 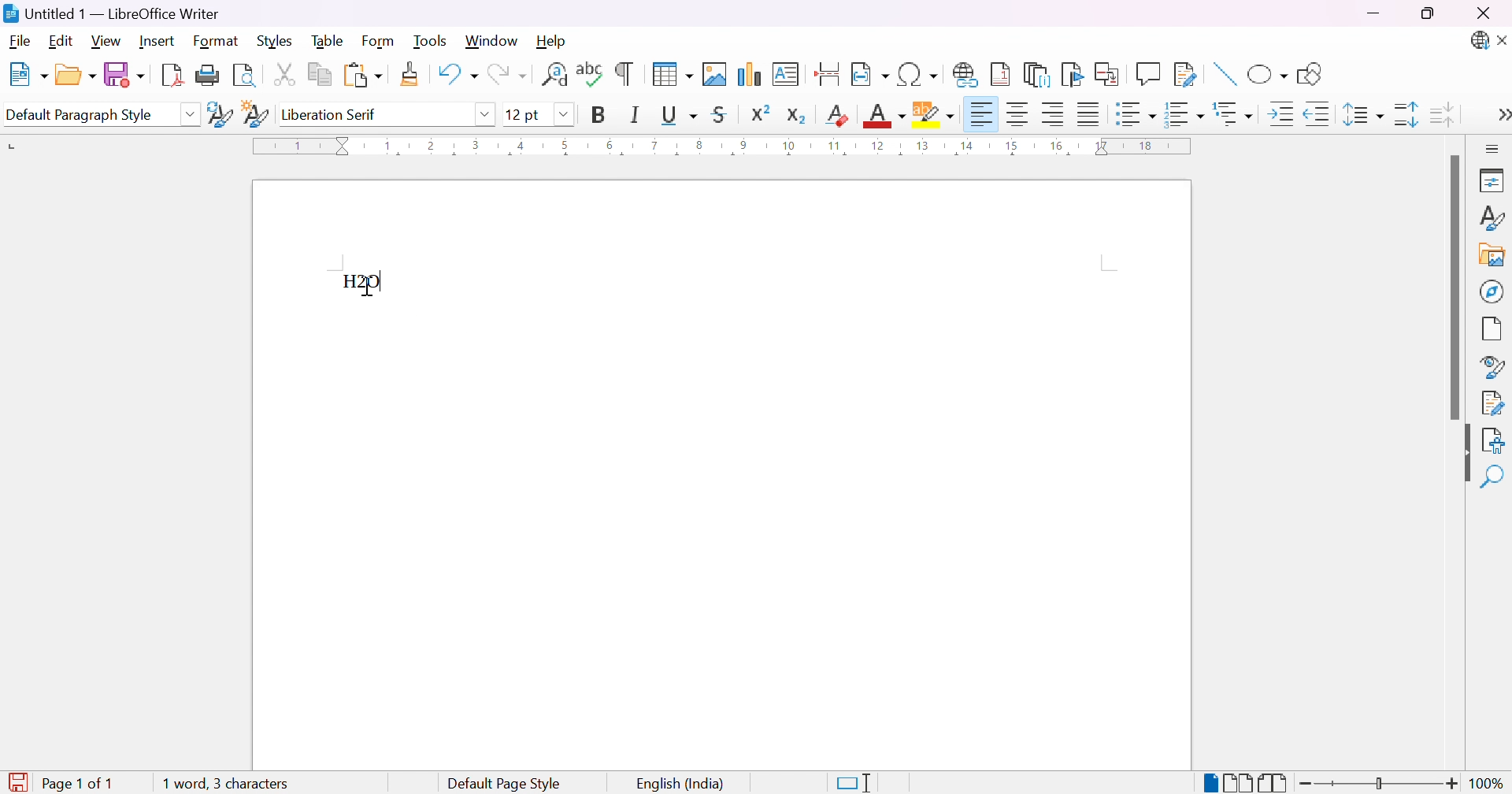 I want to click on Increase indent , so click(x=1284, y=117).